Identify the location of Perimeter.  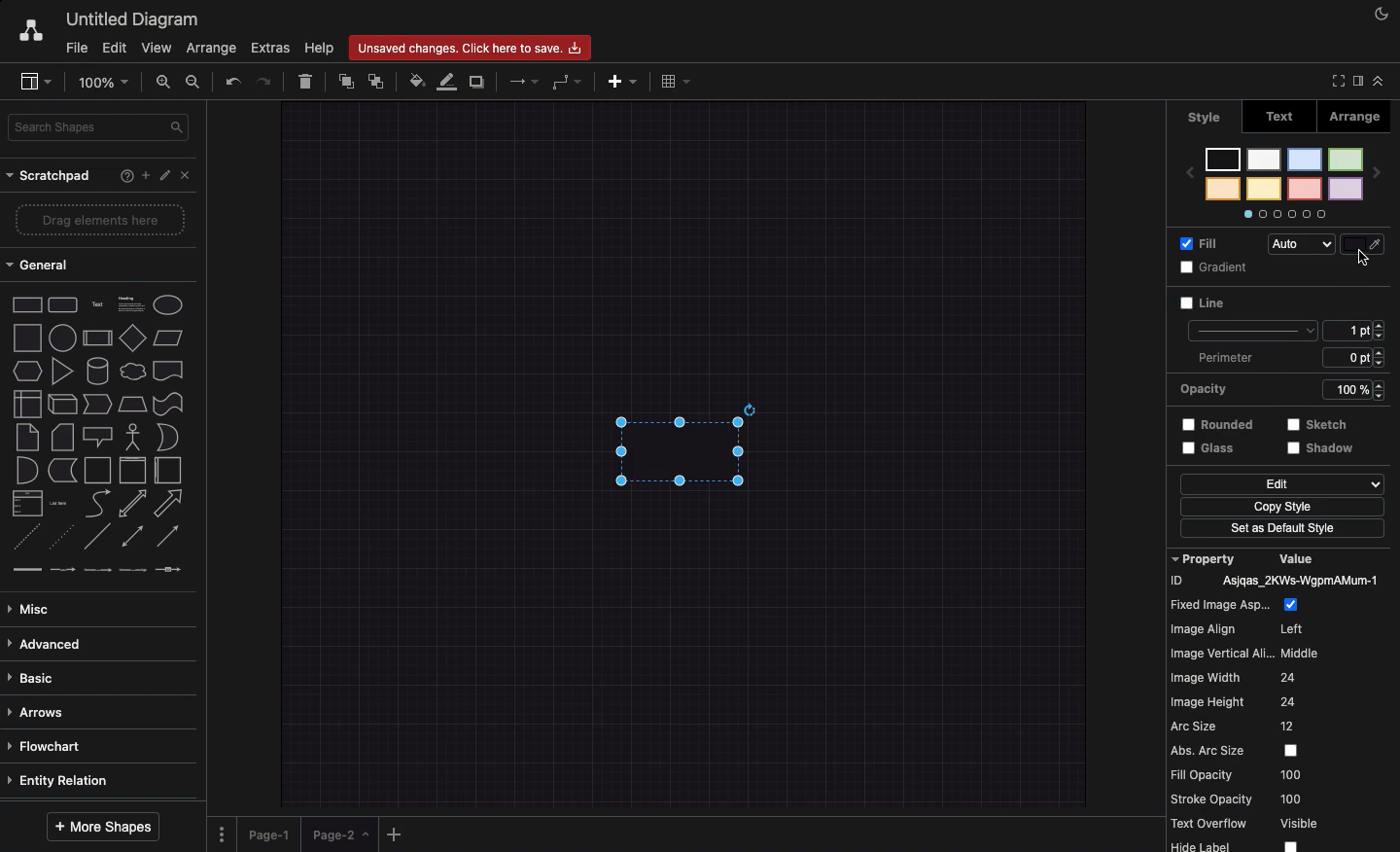
(1224, 358).